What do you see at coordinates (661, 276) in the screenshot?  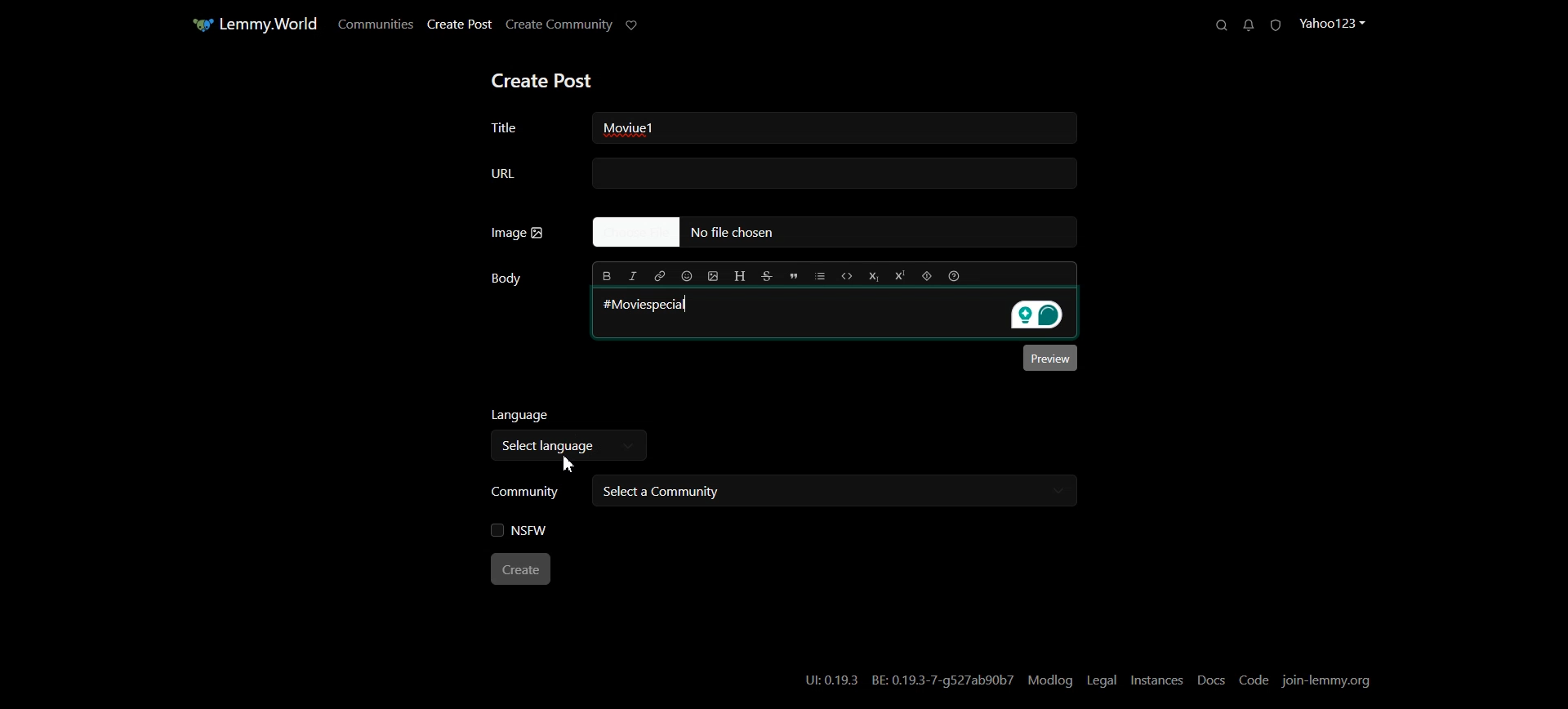 I see `Hyperlink` at bounding box center [661, 276].